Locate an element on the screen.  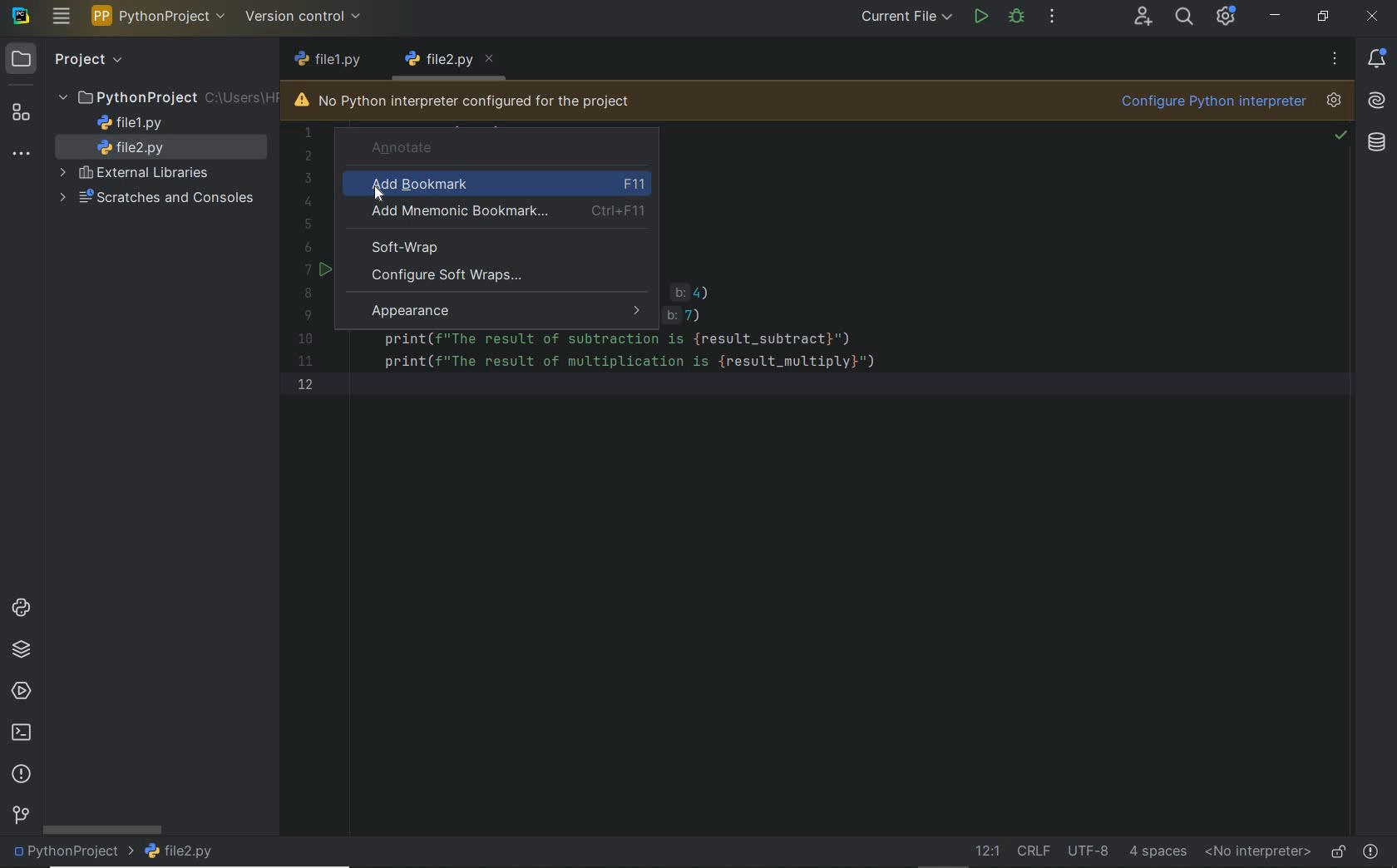
version control is located at coordinates (306, 18).